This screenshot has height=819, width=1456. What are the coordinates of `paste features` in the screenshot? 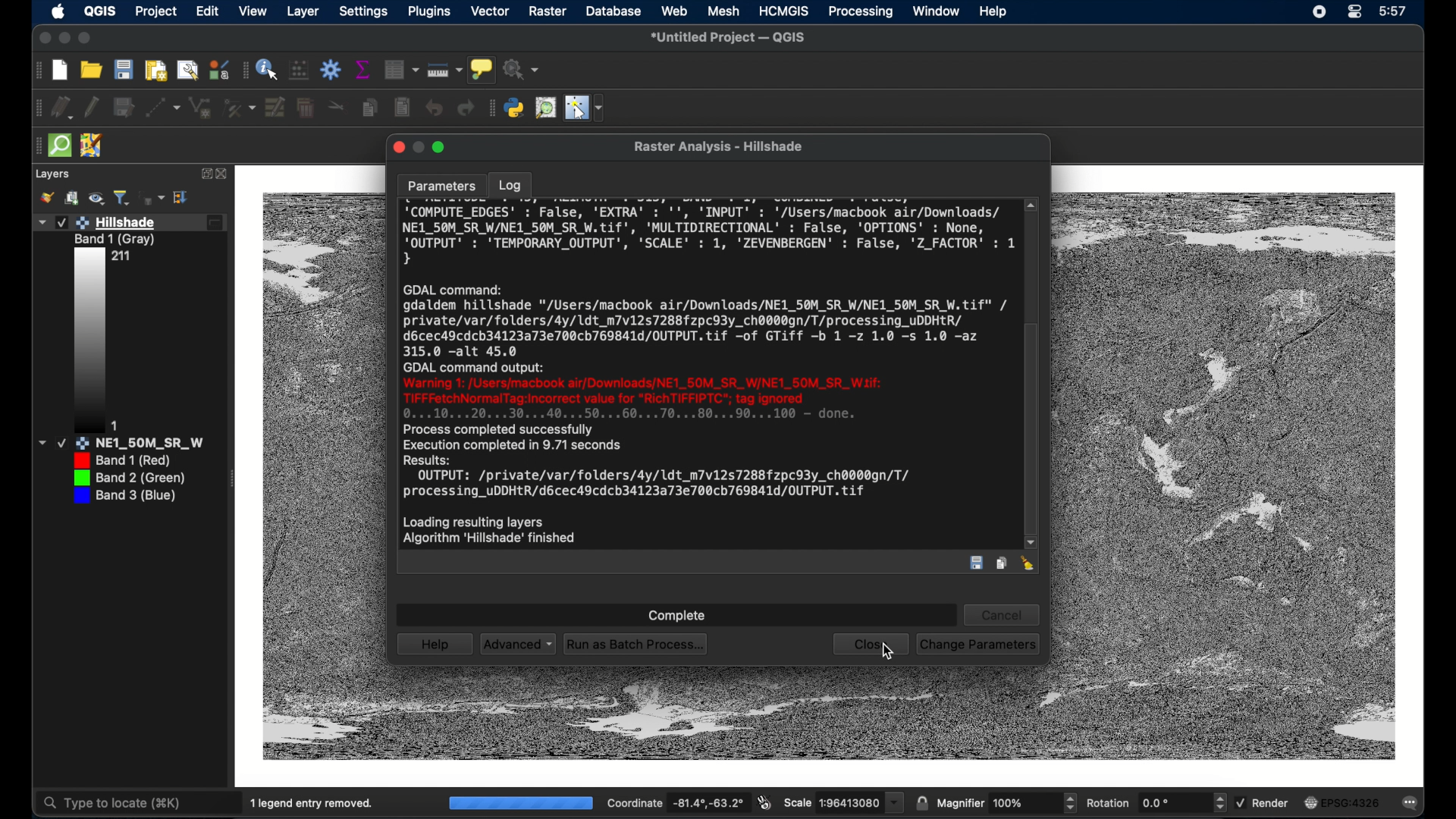 It's located at (401, 106).